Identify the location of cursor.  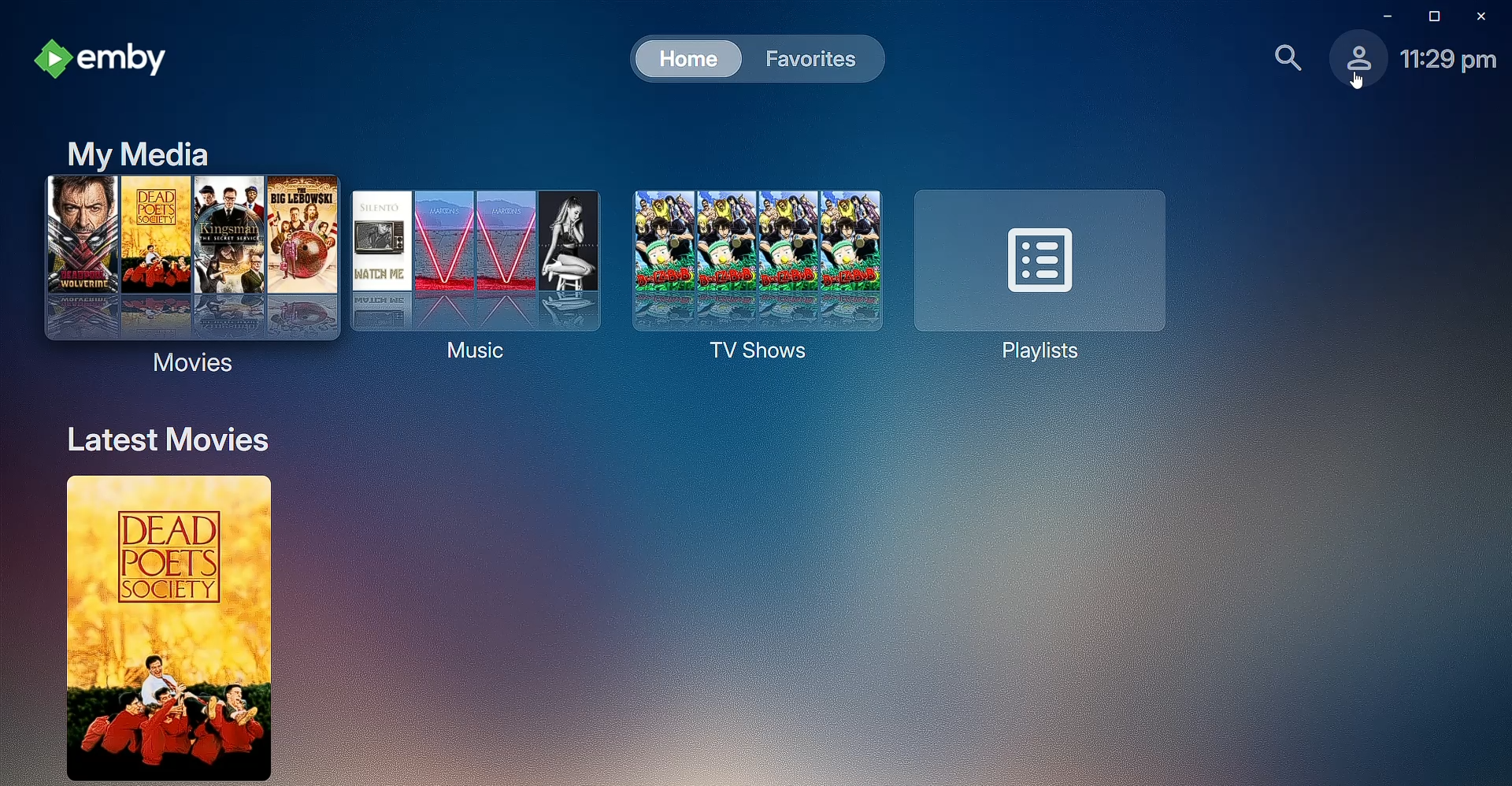
(1355, 81).